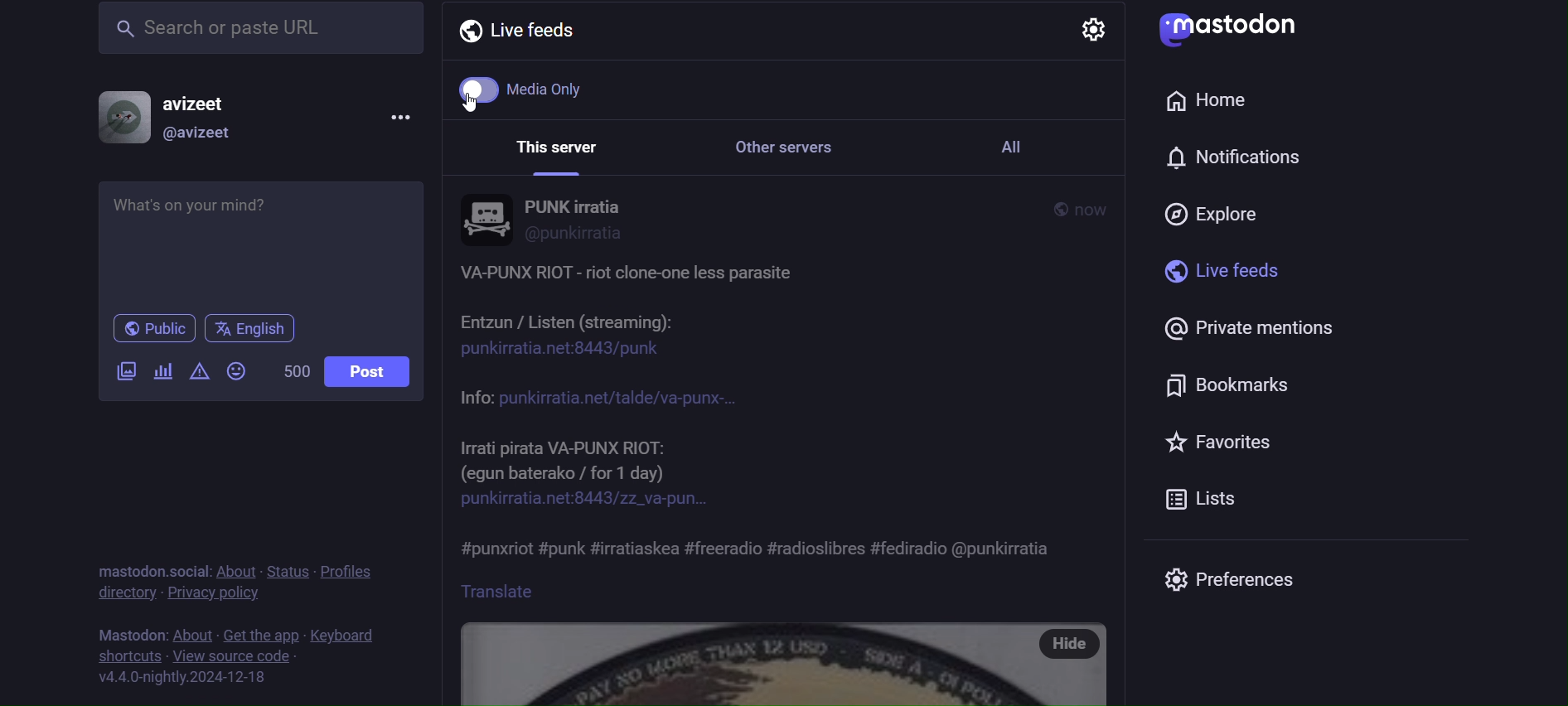 This screenshot has height=706, width=1568. Describe the element at coordinates (236, 373) in the screenshot. I see `emojis ` at that location.